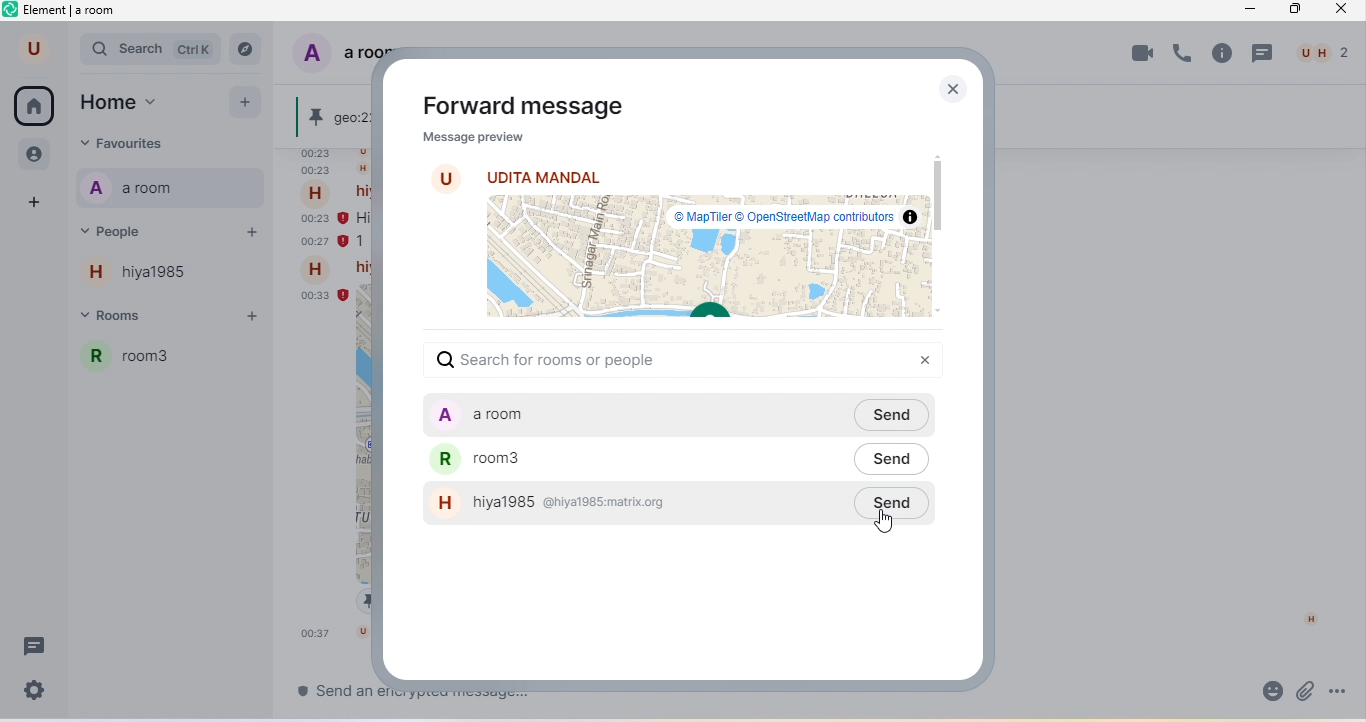  Describe the element at coordinates (149, 277) in the screenshot. I see `hiya 1985` at that location.